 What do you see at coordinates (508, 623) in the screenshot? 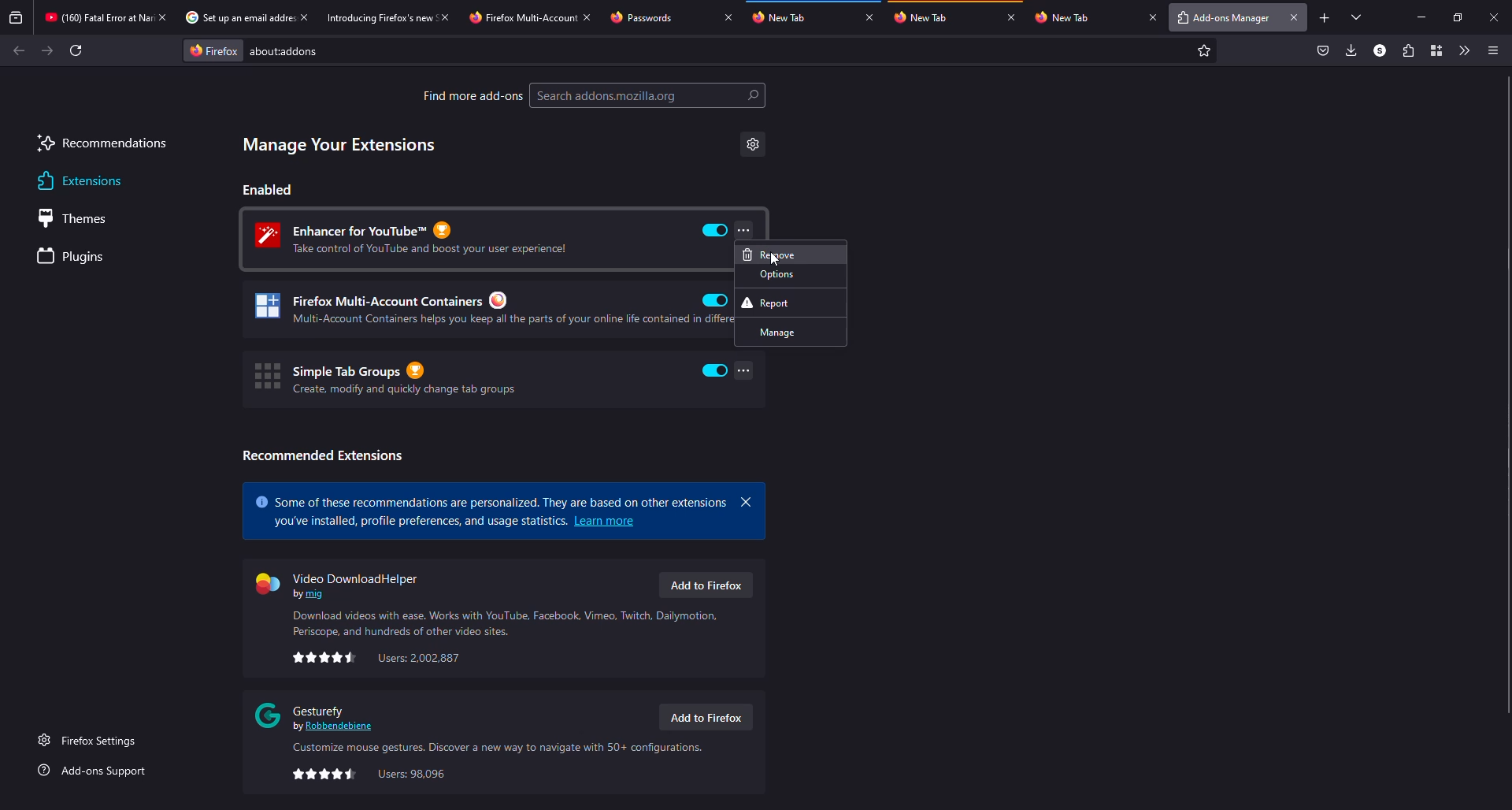
I see `info` at bounding box center [508, 623].